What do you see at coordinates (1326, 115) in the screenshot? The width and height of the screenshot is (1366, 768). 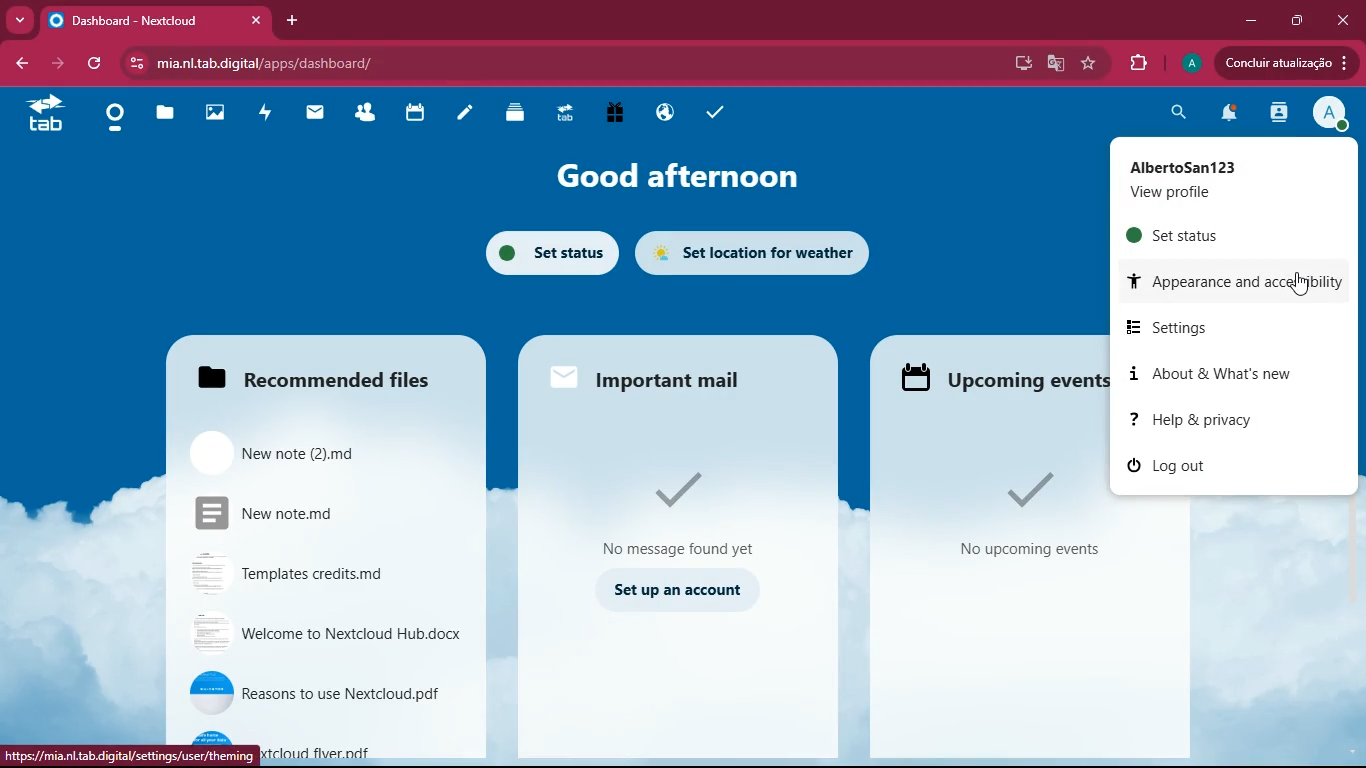 I see `profile` at bounding box center [1326, 115].